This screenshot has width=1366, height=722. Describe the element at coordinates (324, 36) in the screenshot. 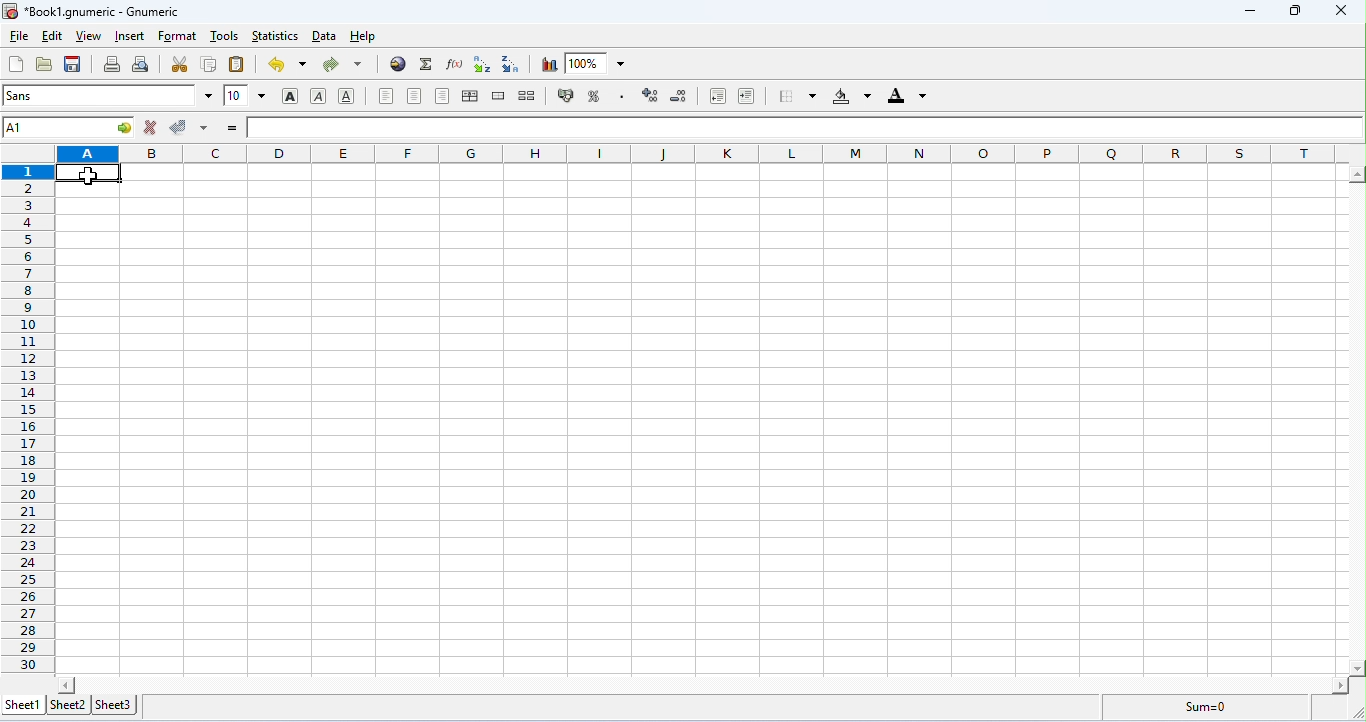

I see `data` at that location.